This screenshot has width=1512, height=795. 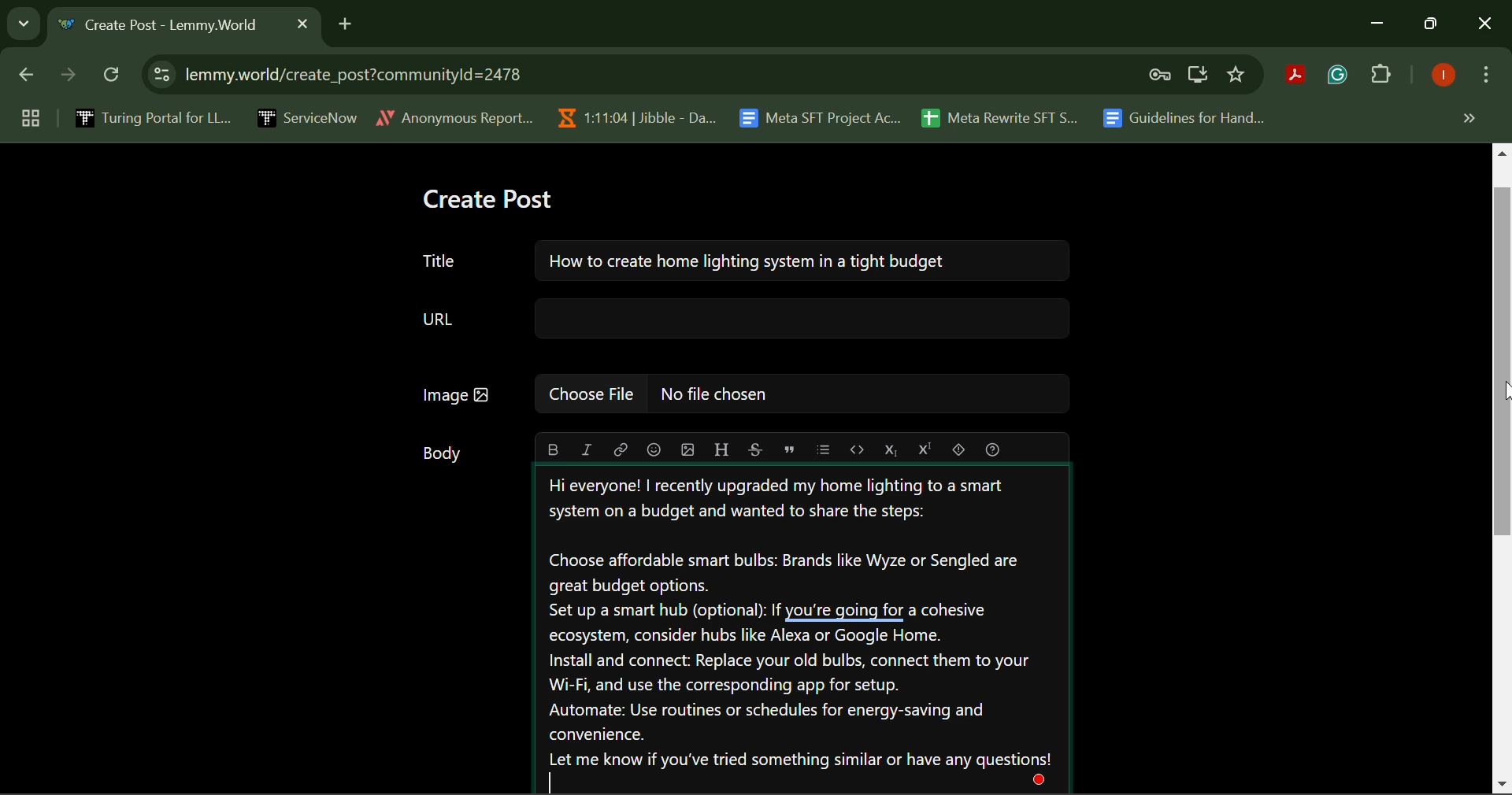 I want to click on Turing Portal for LLM, so click(x=150, y=117).